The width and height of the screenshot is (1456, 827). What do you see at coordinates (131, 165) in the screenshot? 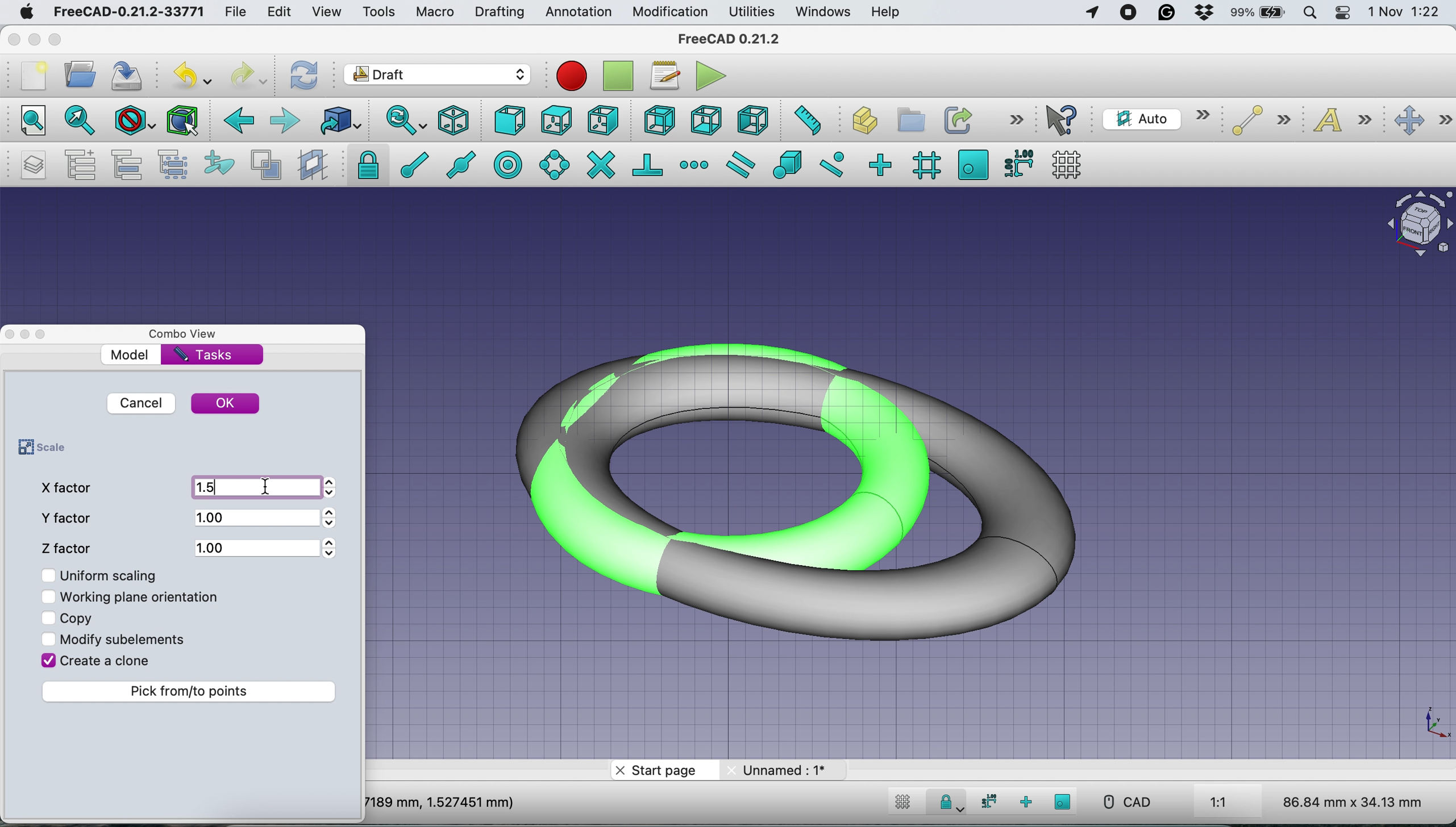
I see `move to group` at bounding box center [131, 165].